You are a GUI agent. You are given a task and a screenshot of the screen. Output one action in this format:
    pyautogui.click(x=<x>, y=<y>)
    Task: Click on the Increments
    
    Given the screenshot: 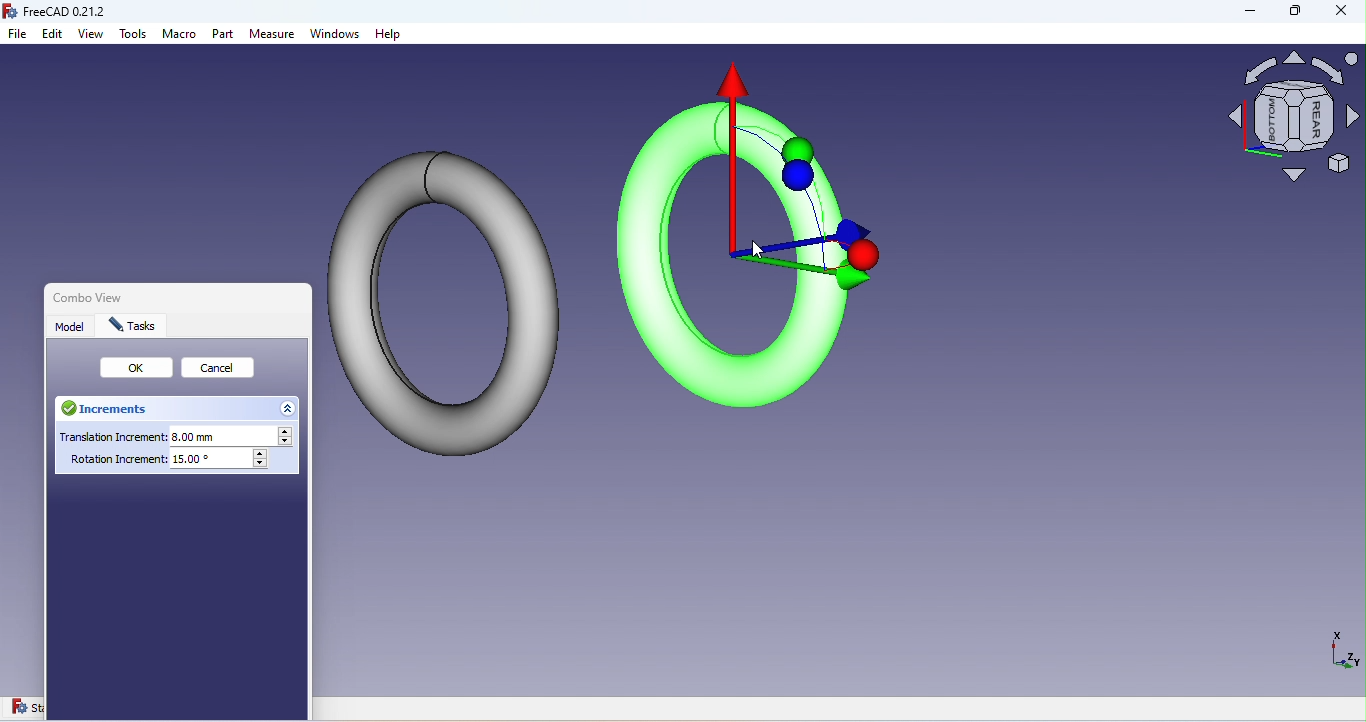 What is the action you would take?
    pyautogui.click(x=112, y=410)
    